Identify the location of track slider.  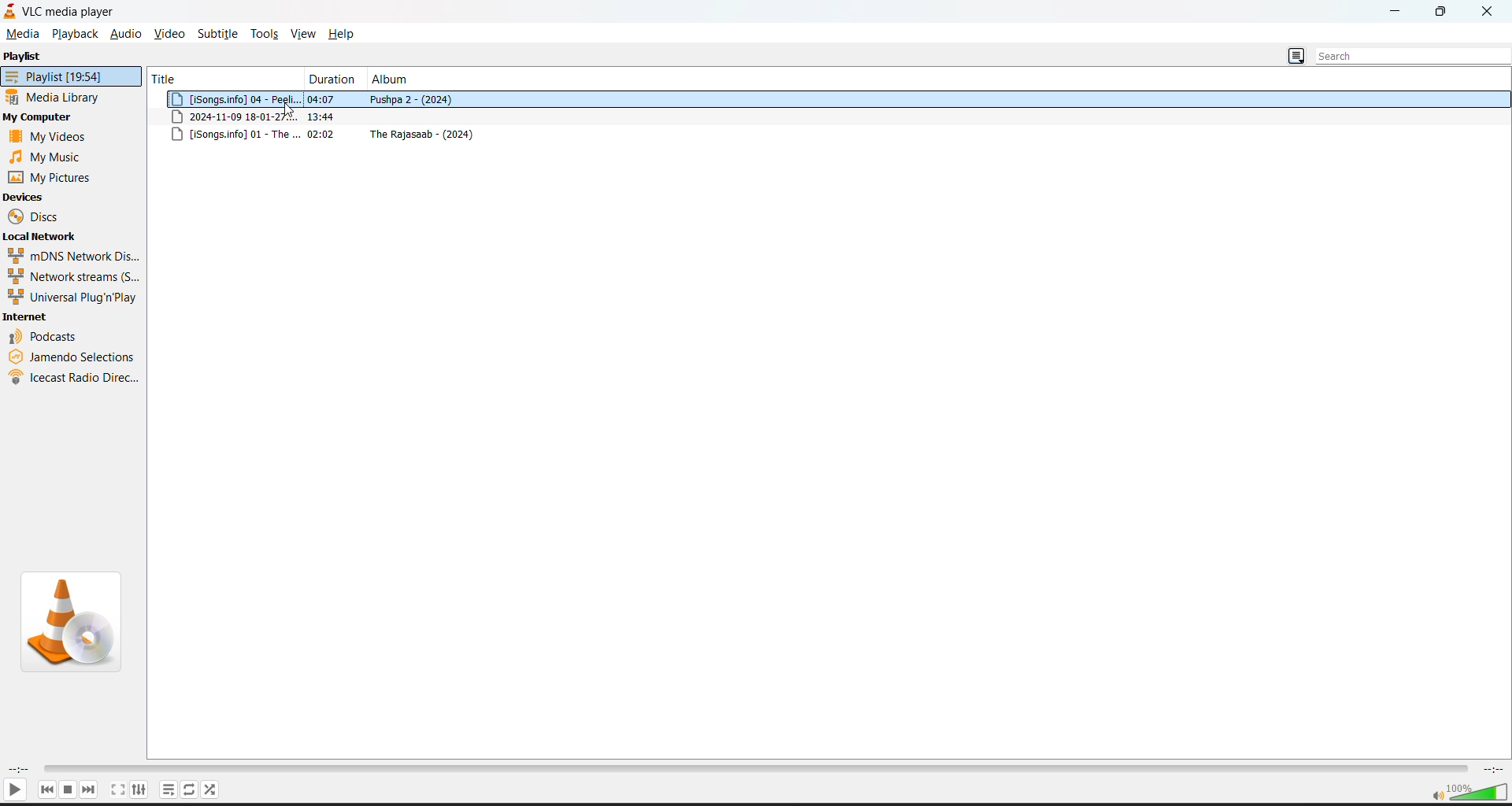
(754, 771).